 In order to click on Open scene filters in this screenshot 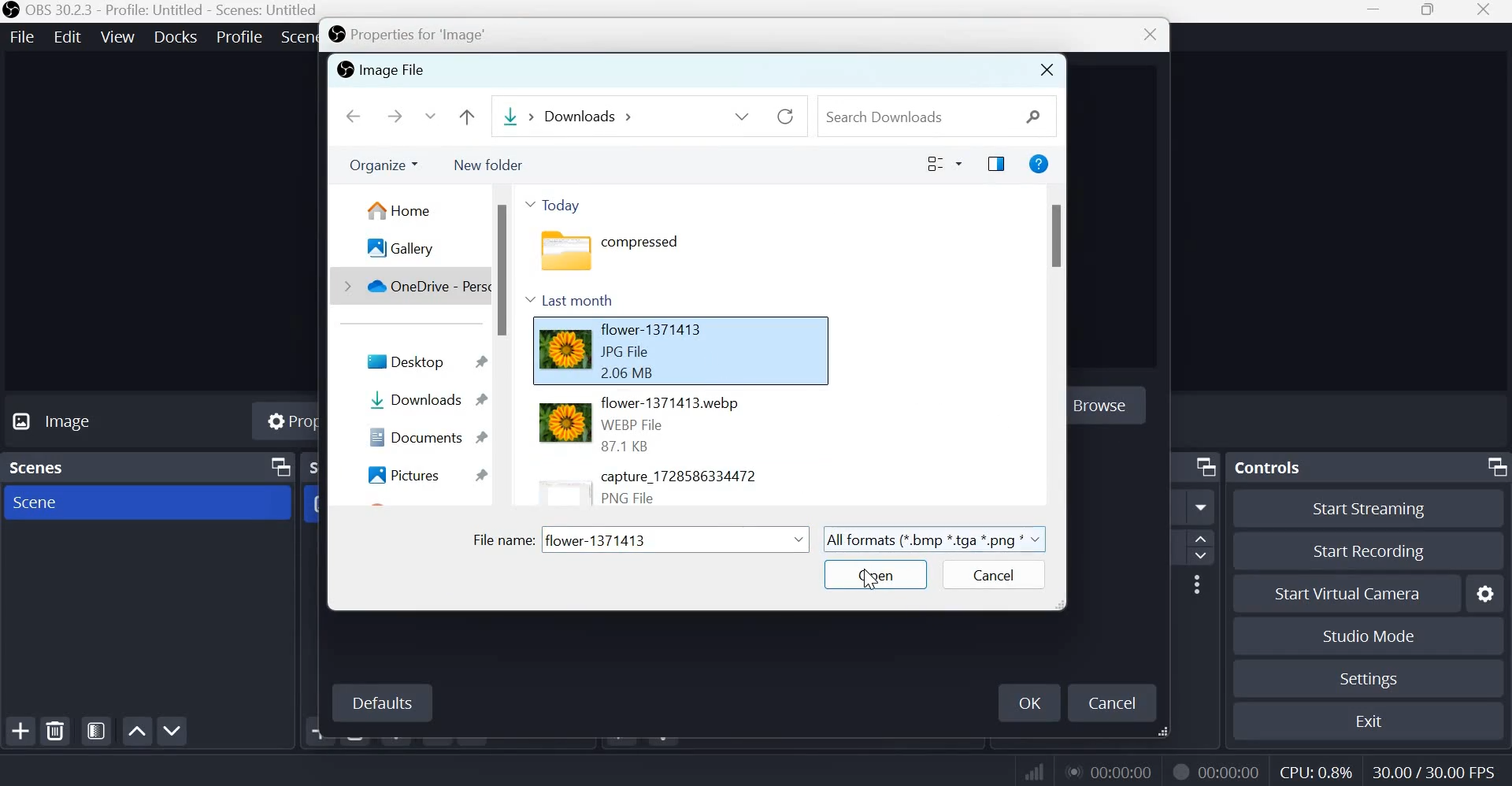, I will do `click(96, 731)`.